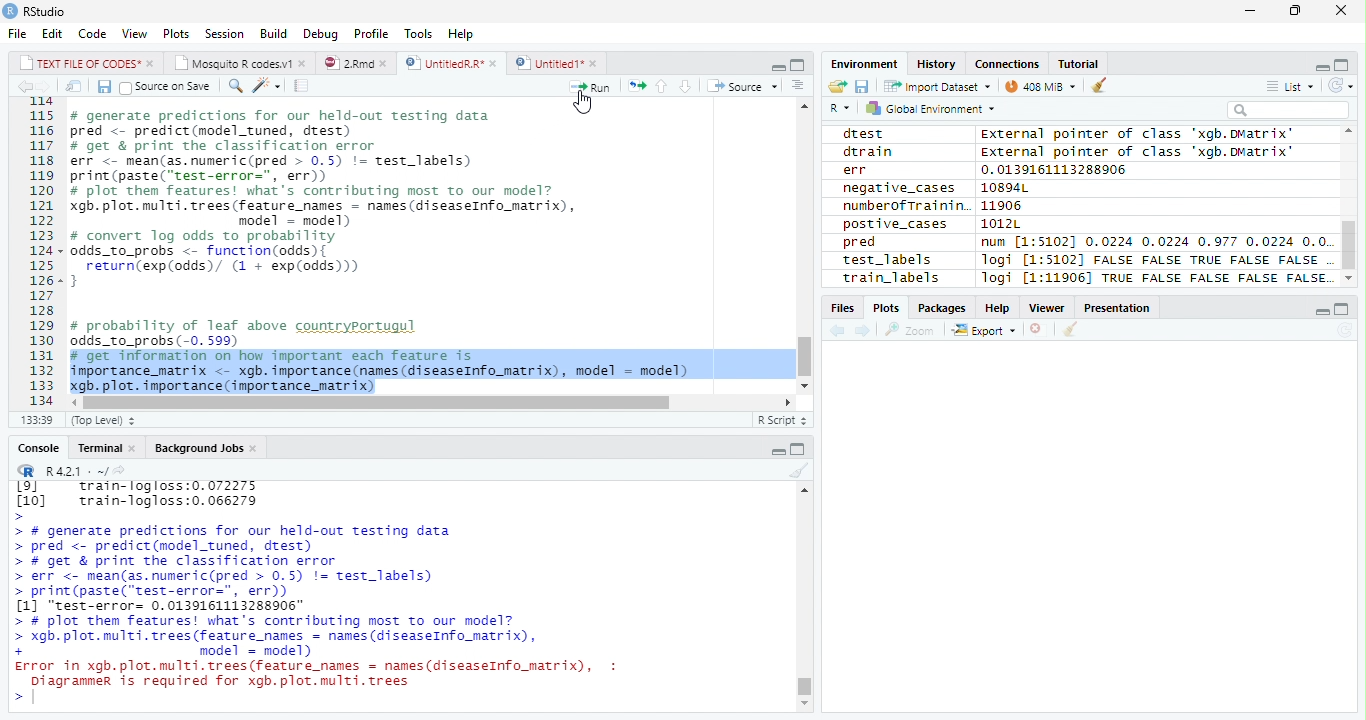  Describe the element at coordinates (885, 308) in the screenshot. I see `Plots` at that location.